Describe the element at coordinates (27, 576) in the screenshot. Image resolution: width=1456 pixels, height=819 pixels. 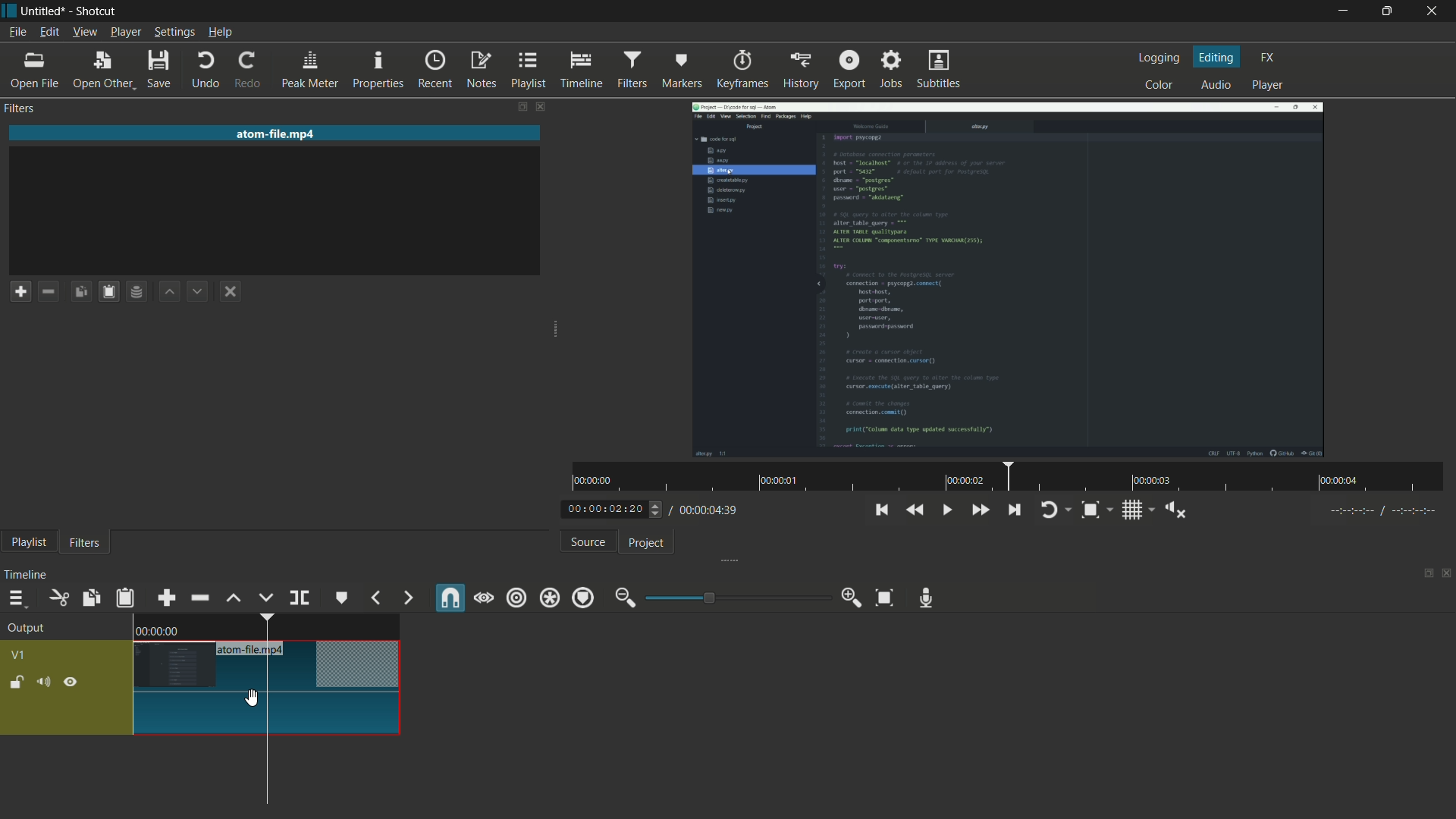
I see `timeline` at that location.